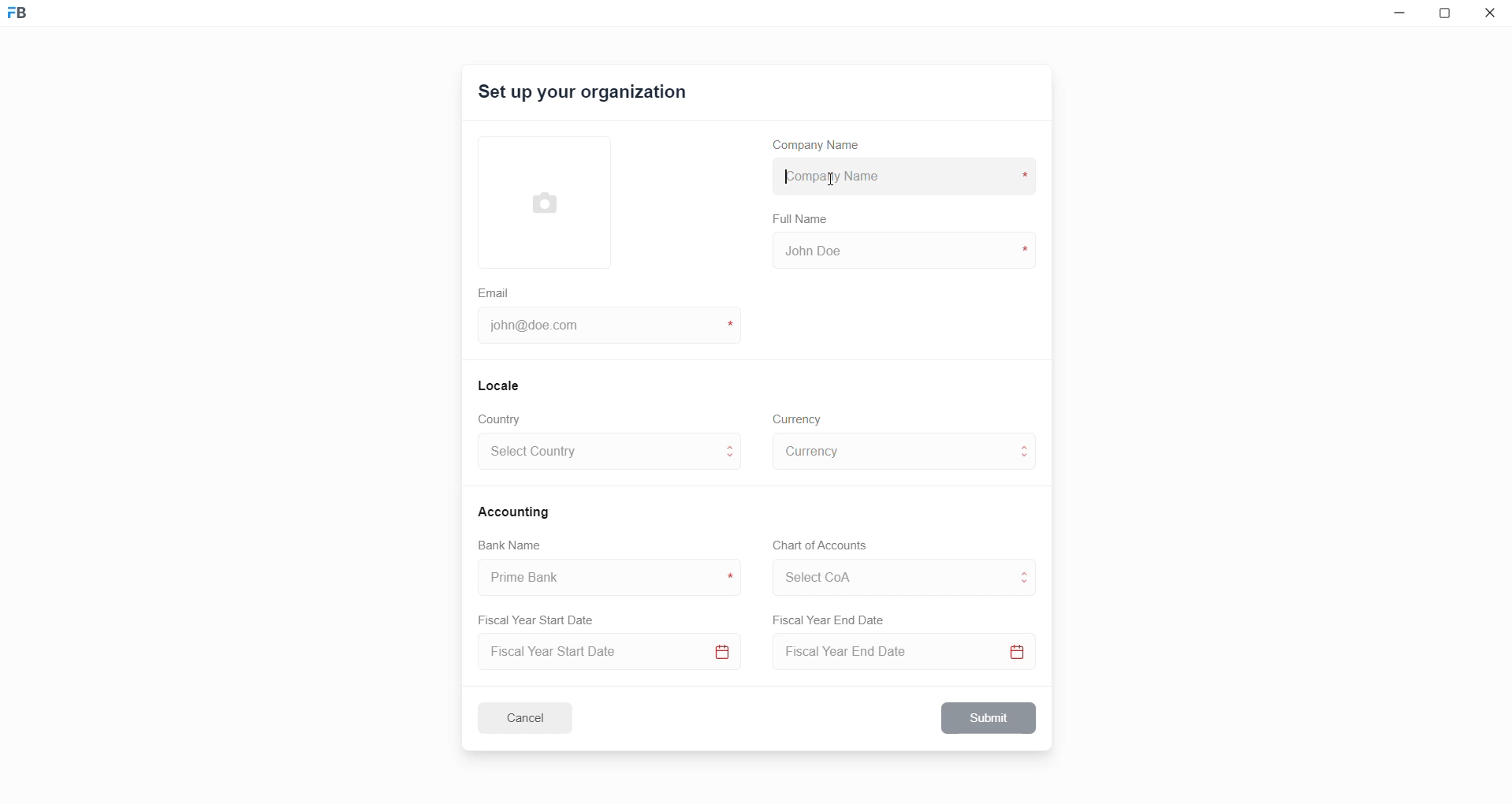 Image resolution: width=1512 pixels, height=804 pixels. I want to click on Currency, so click(799, 418).